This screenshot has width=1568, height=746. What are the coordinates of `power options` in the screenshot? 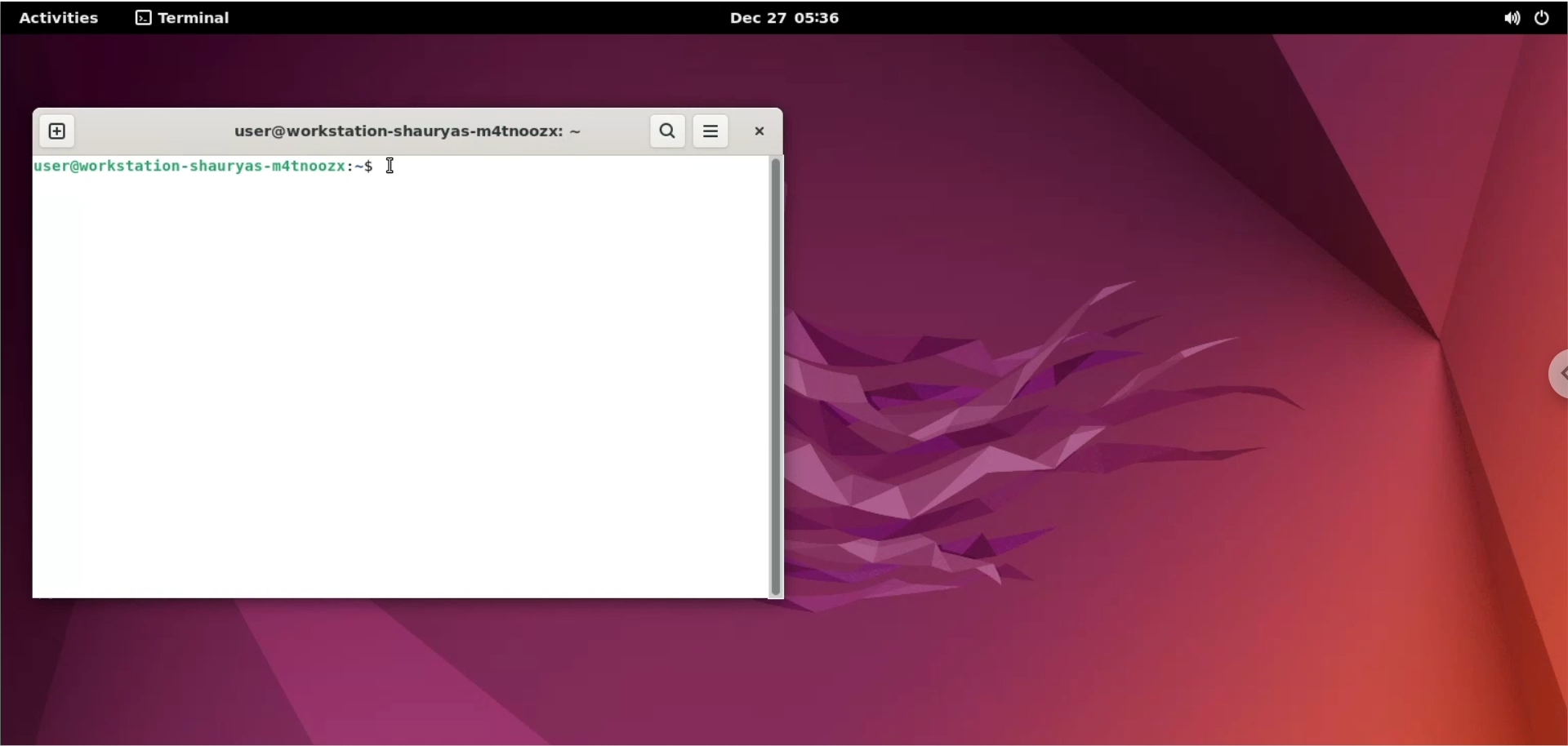 It's located at (1546, 18).